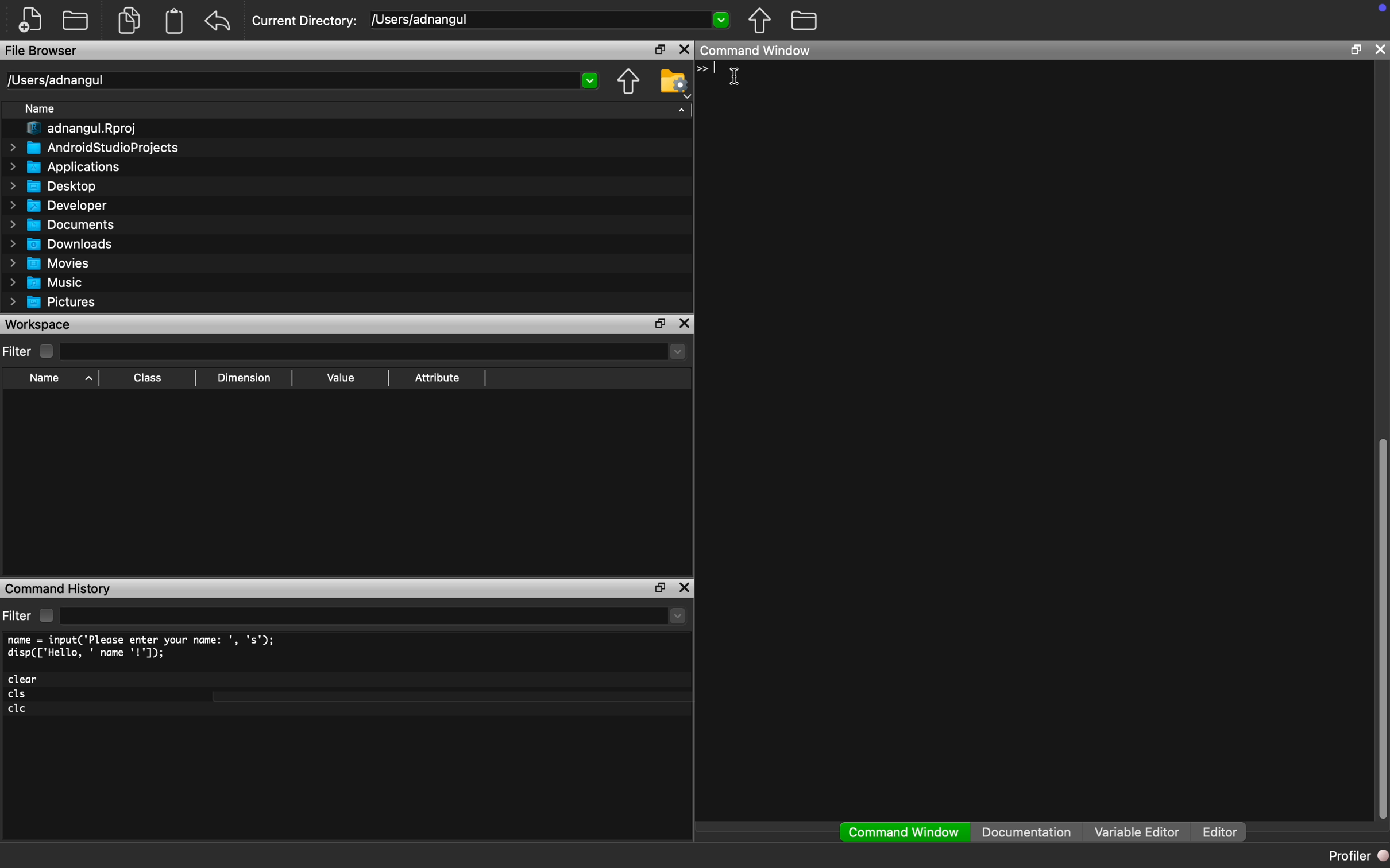  What do you see at coordinates (1137, 831) in the screenshot?
I see `Variable Editor` at bounding box center [1137, 831].